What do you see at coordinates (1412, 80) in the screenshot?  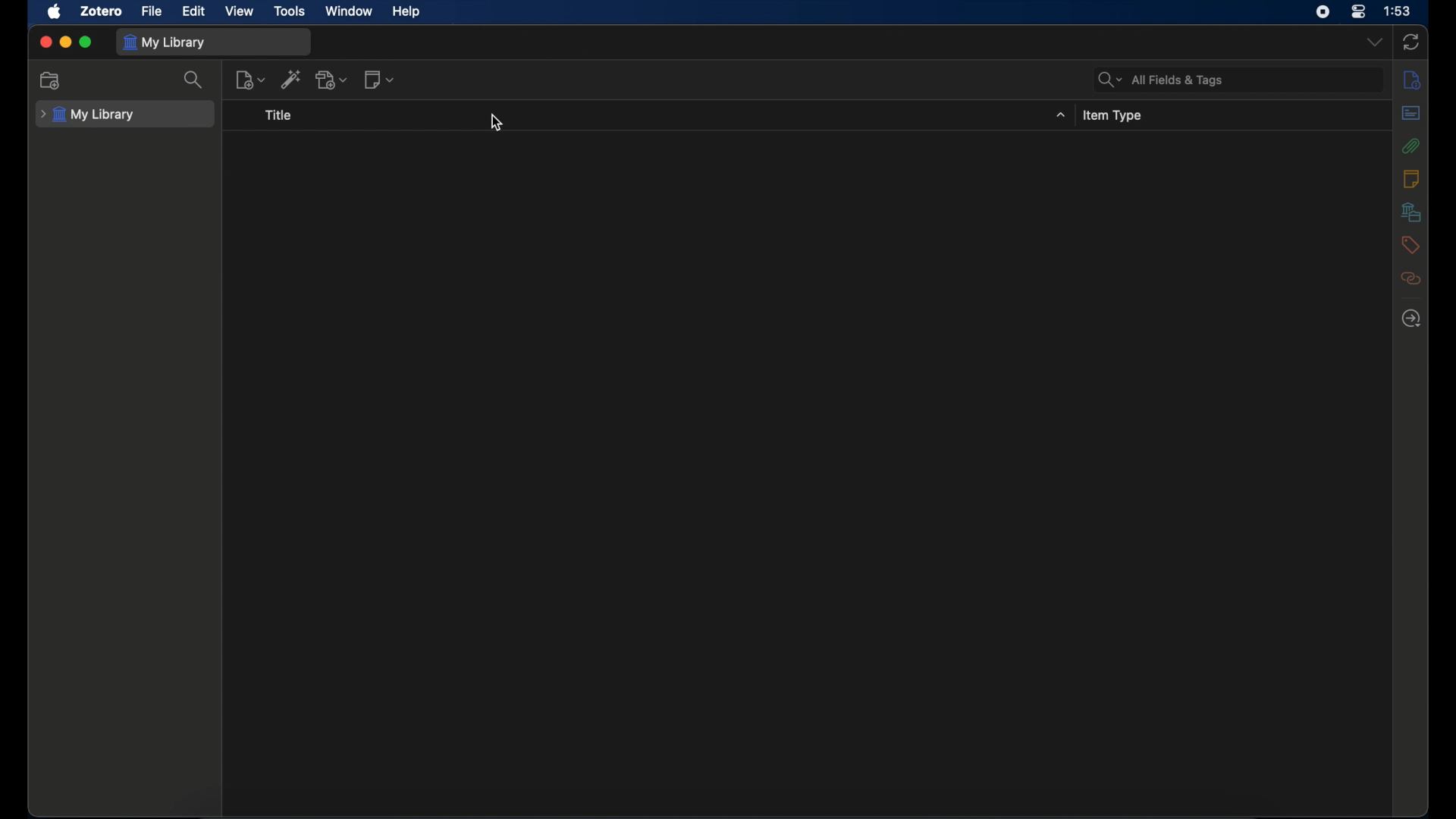 I see `info` at bounding box center [1412, 80].